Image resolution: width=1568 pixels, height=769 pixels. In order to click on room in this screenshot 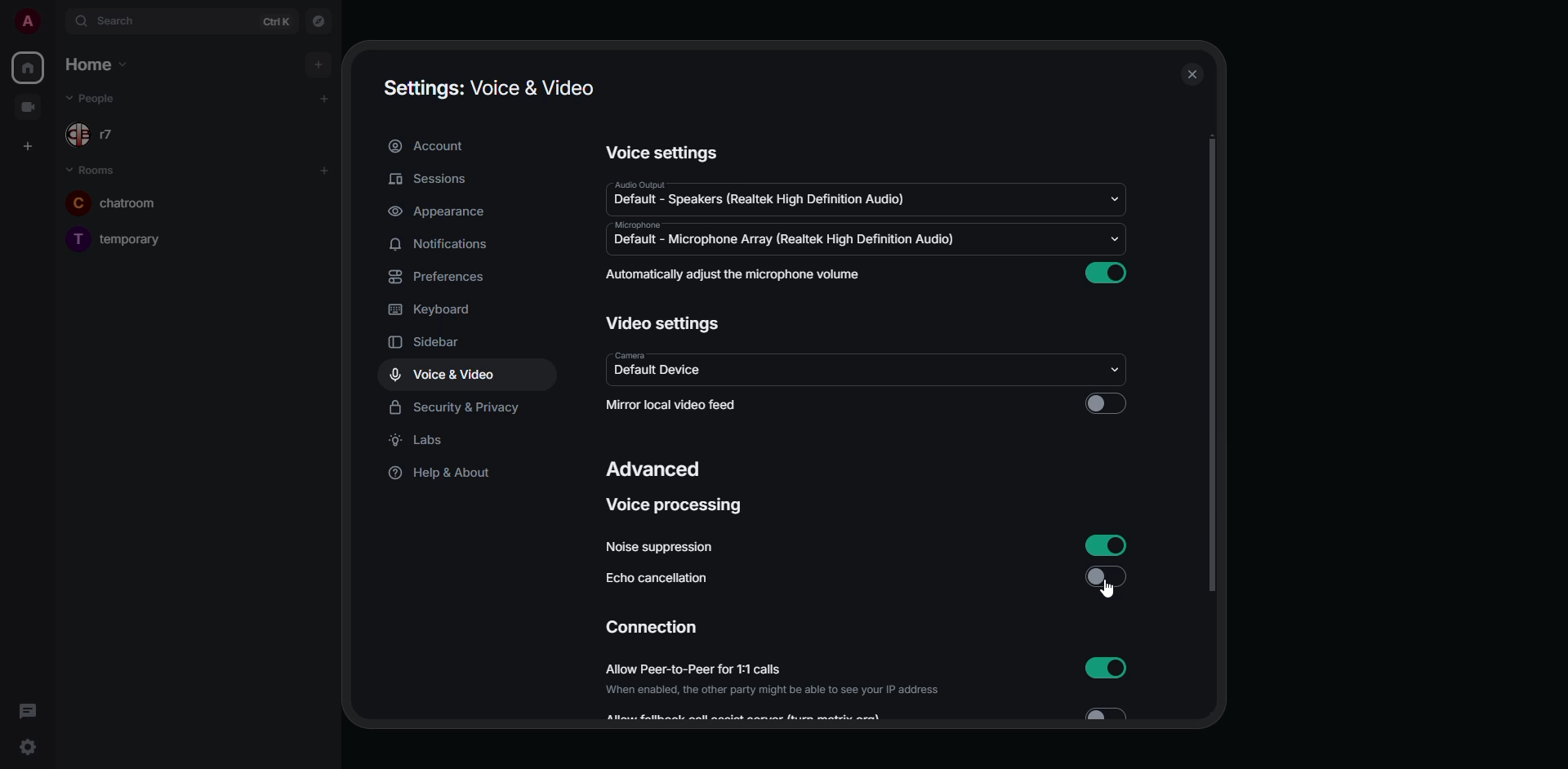, I will do `click(114, 203)`.